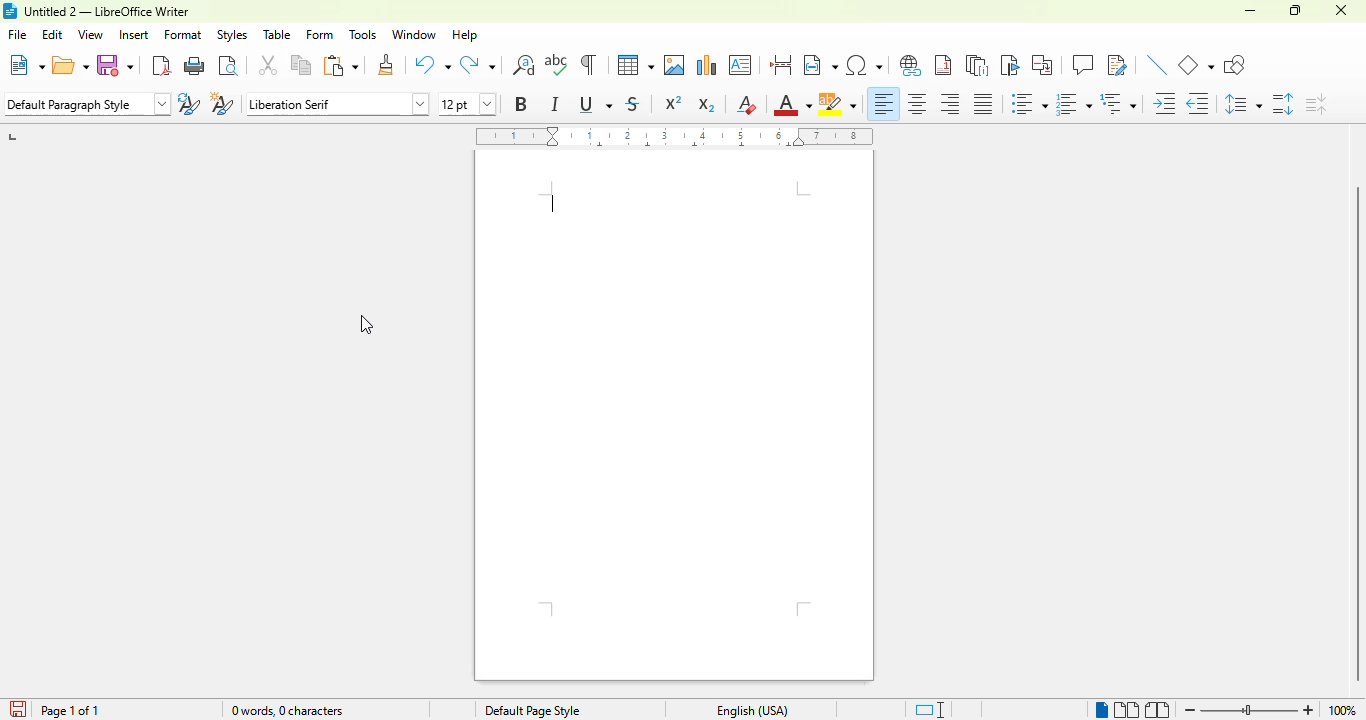  Describe the element at coordinates (943, 65) in the screenshot. I see `insert footnote` at that location.